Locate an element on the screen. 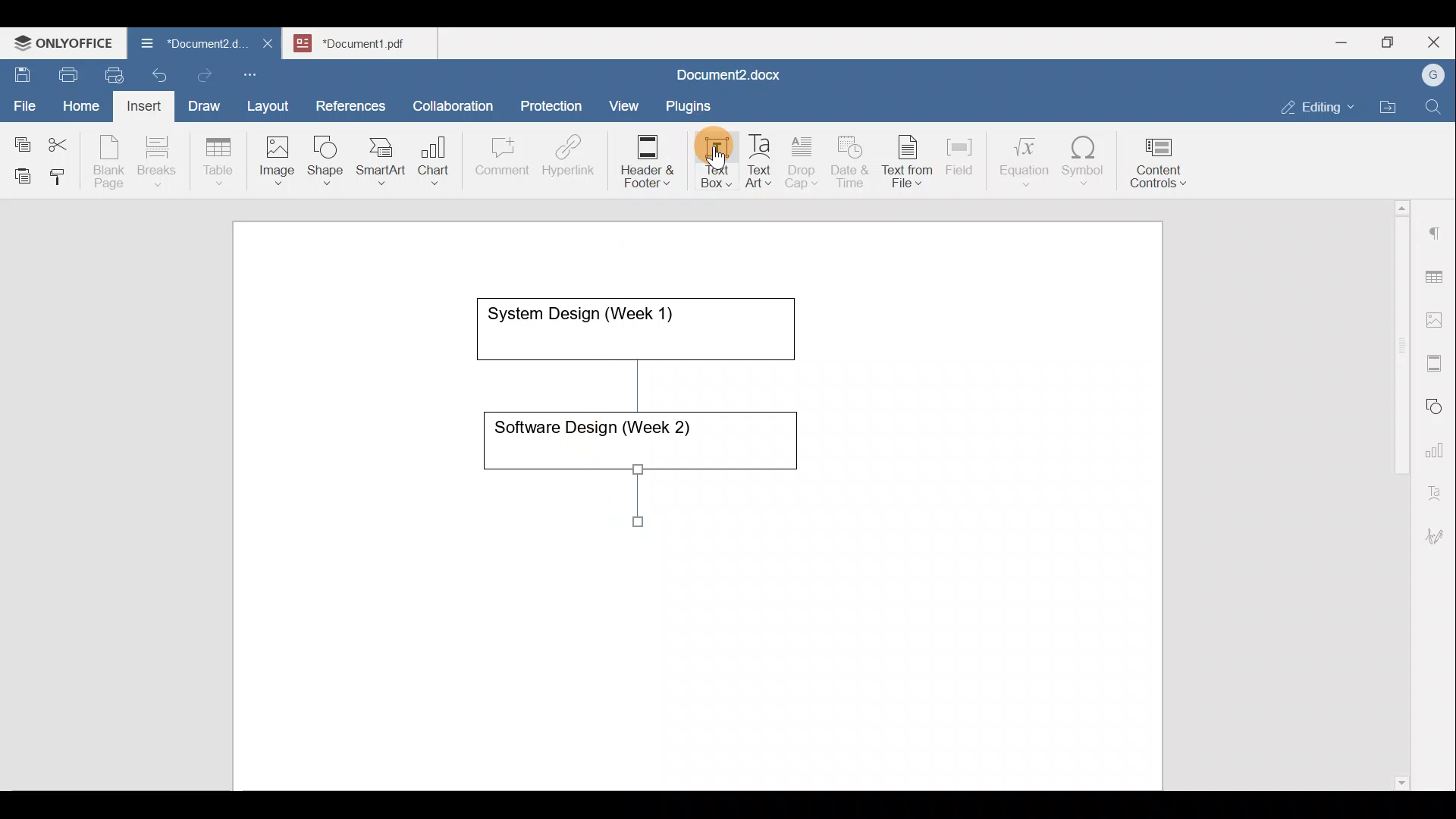 The image size is (1456, 819). Breaks is located at coordinates (156, 162).